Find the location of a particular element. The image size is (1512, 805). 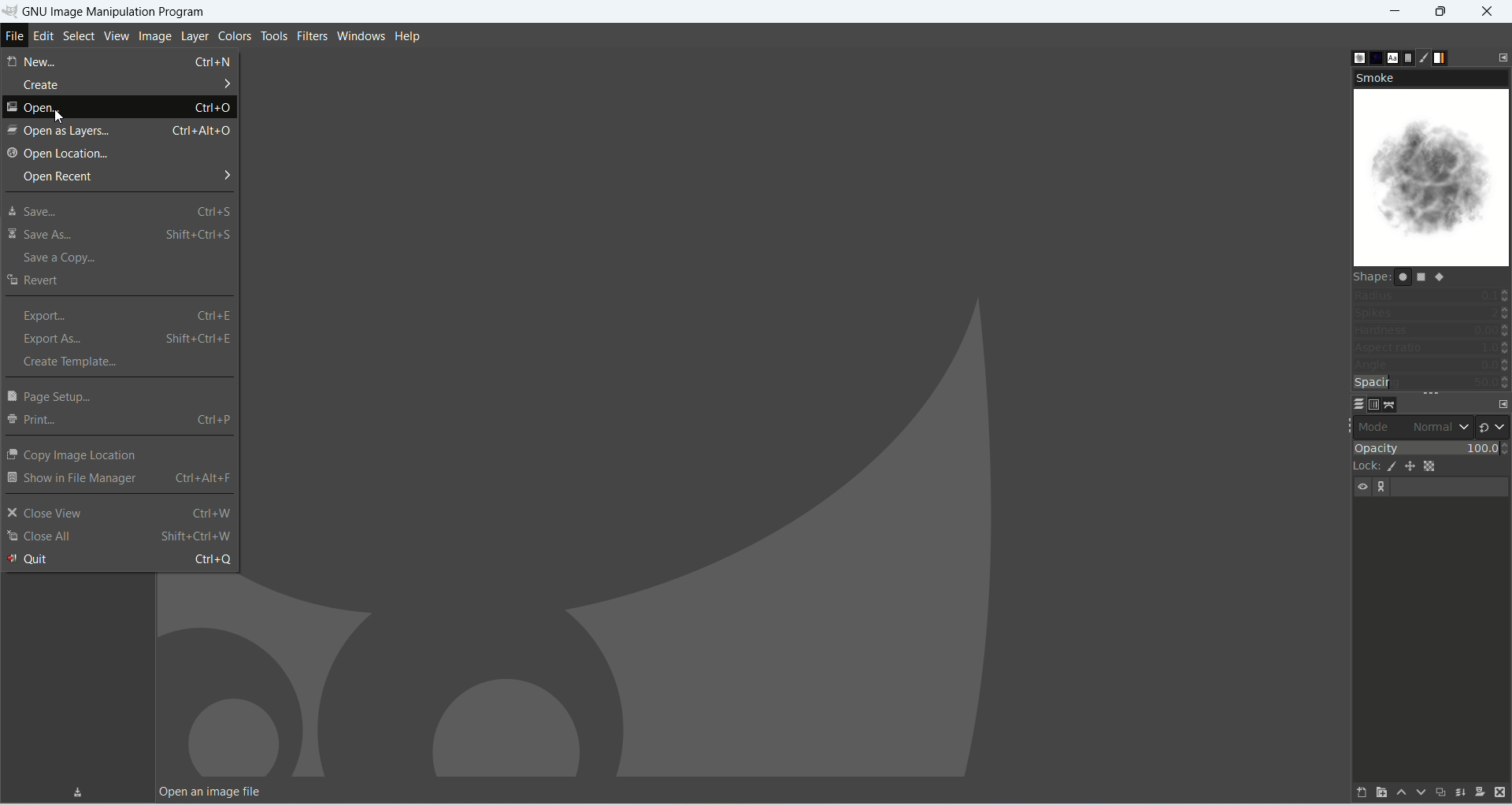

paths is located at coordinates (1393, 405).